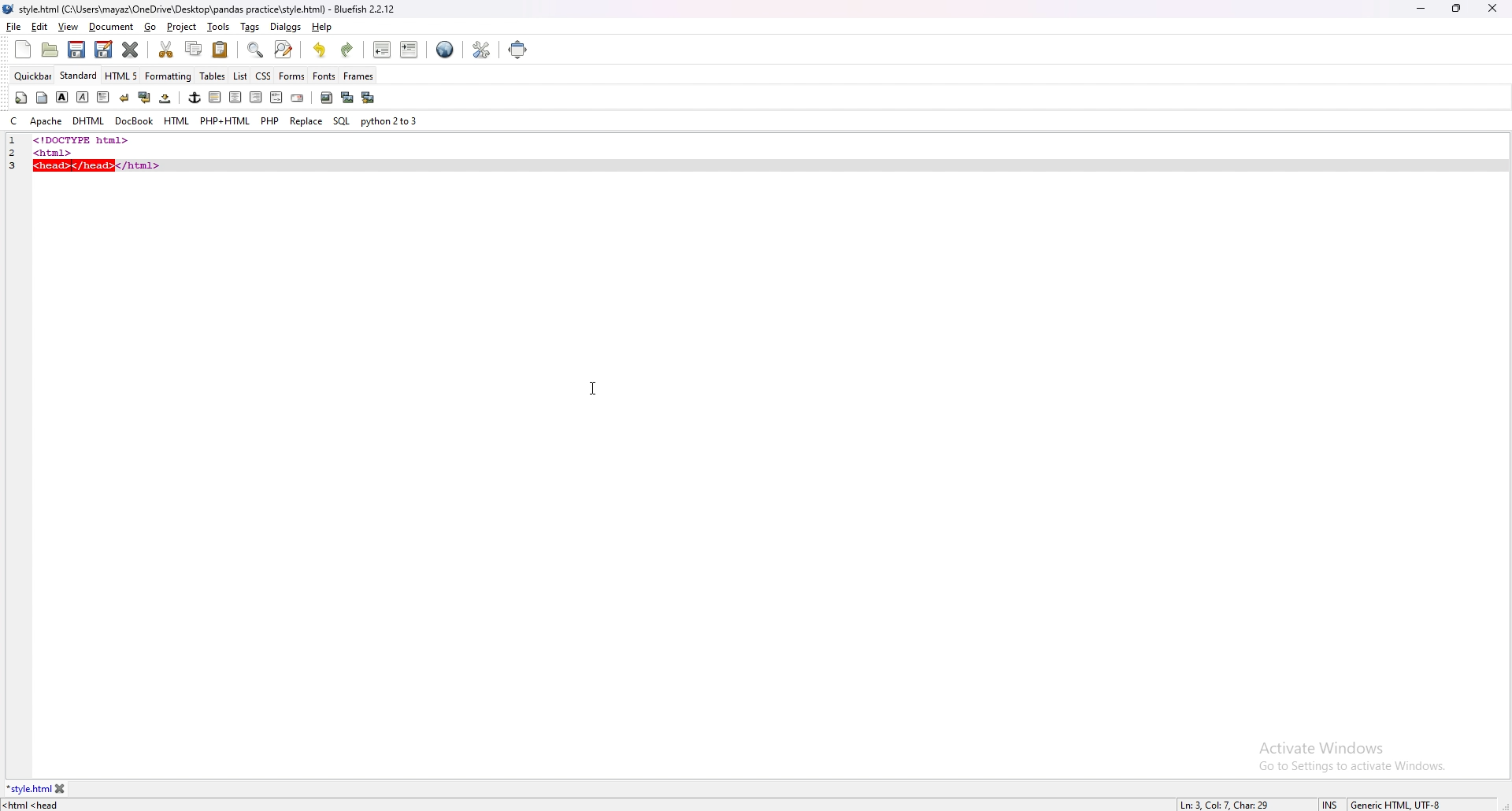  What do you see at coordinates (112, 28) in the screenshot?
I see `document` at bounding box center [112, 28].